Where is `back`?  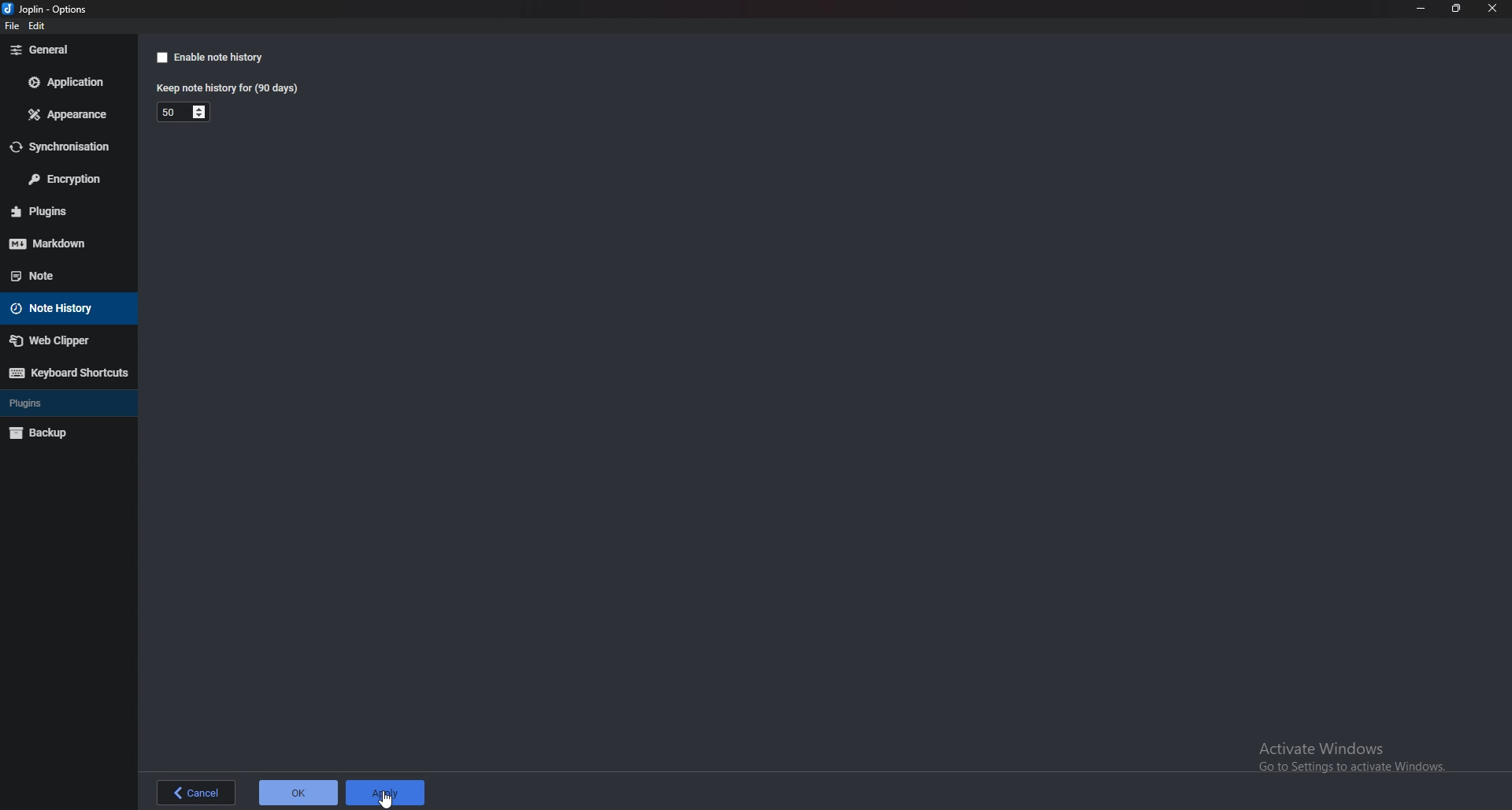
back is located at coordinates (196, 793).